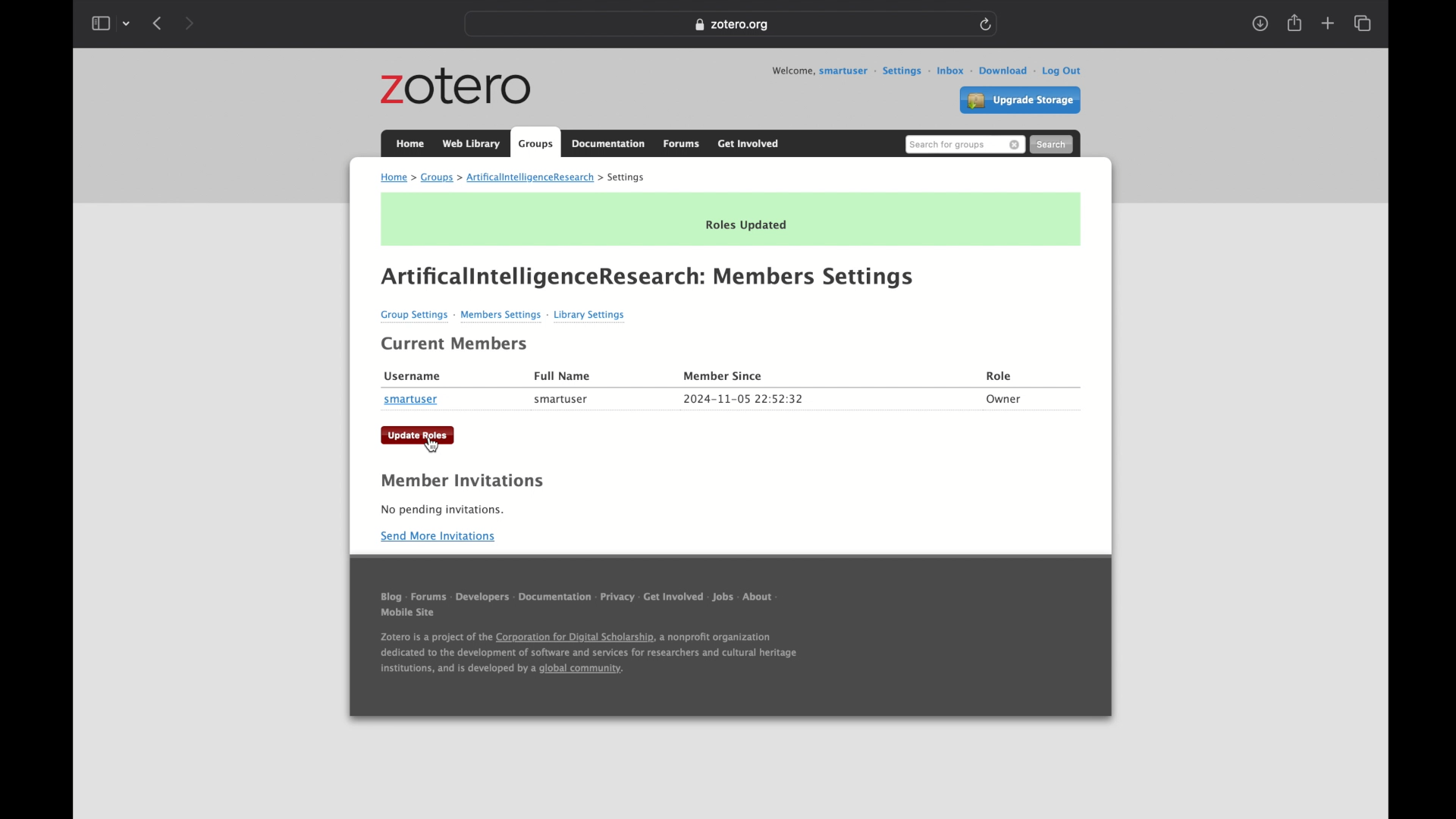  What do you see at coordinates (987, 24) in the screenshot?
I see `refresh` at bounding box center [987, 24].